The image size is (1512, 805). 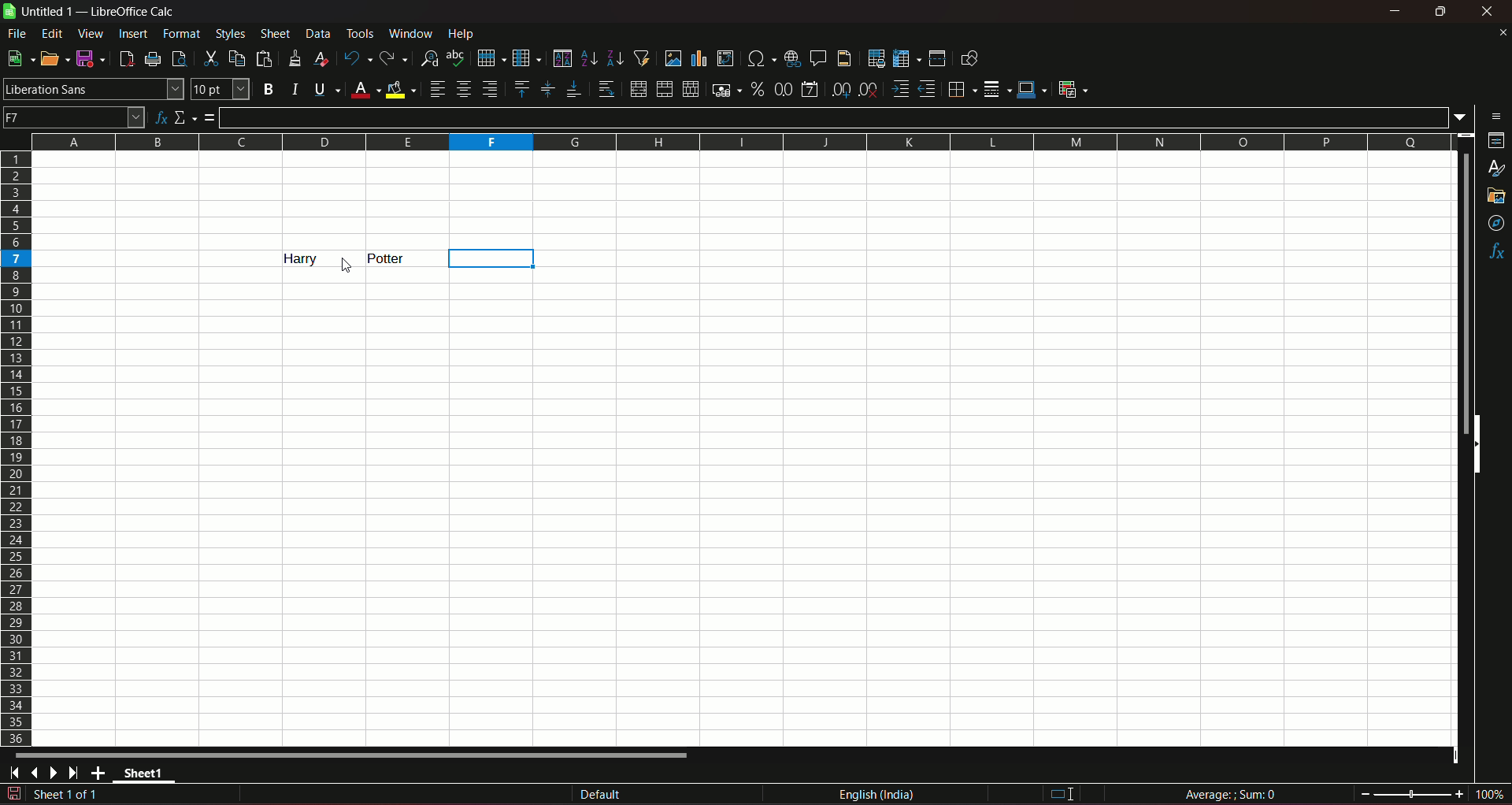 I want to click on window, so click(x=413, y=34).